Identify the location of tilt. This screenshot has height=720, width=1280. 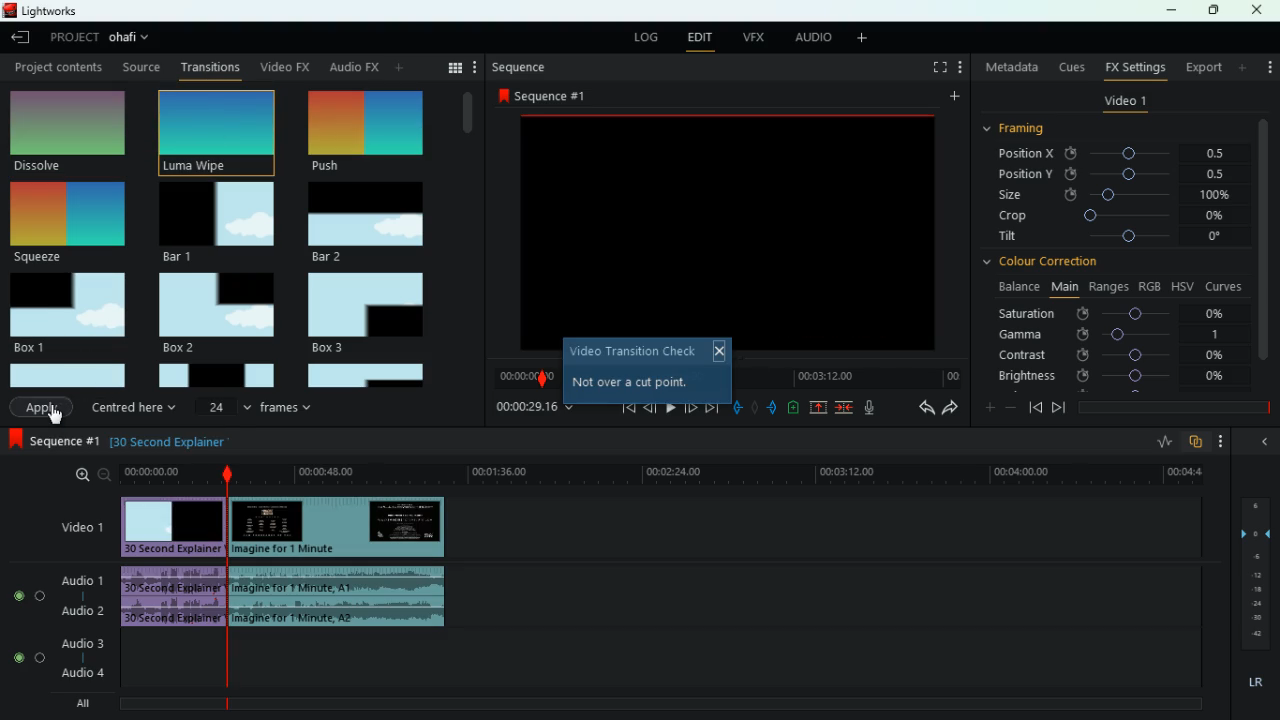
(1113, 238).